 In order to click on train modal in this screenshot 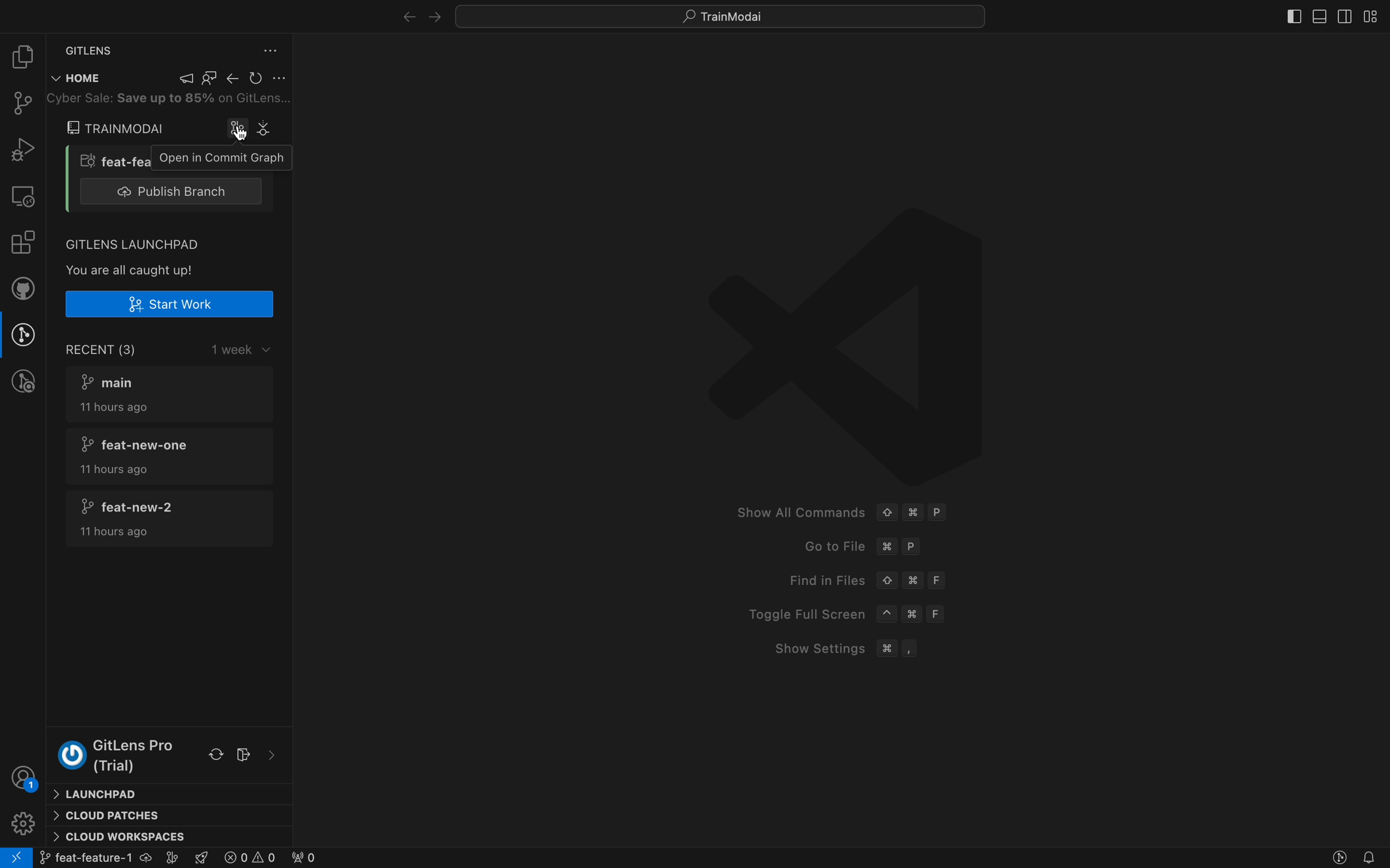, I will do `click(118, 128)`.